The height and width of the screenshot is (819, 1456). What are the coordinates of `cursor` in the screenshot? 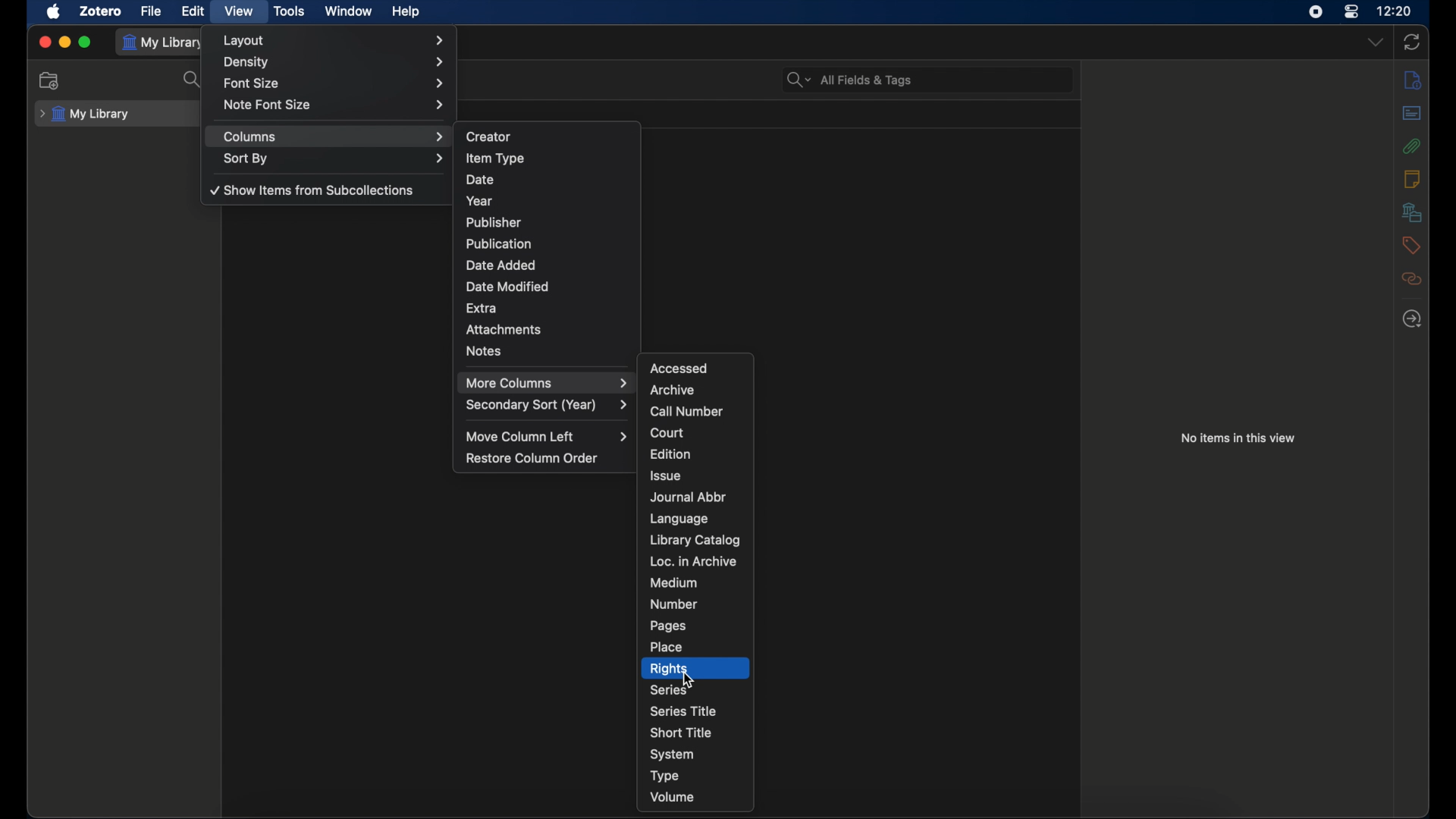 It's located at (690, 678).